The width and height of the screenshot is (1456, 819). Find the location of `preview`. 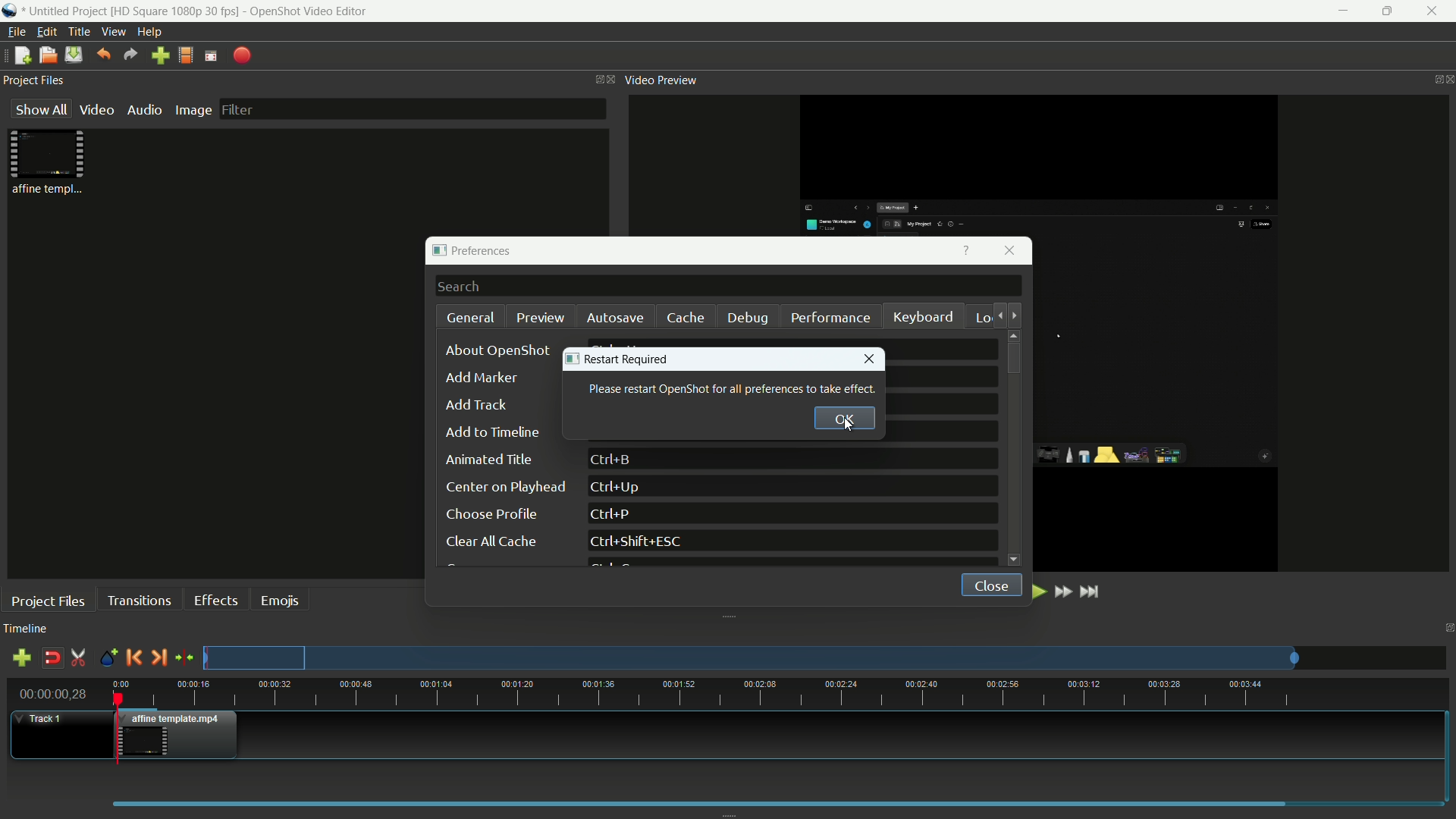

preview is located at coordinates (541, 317).